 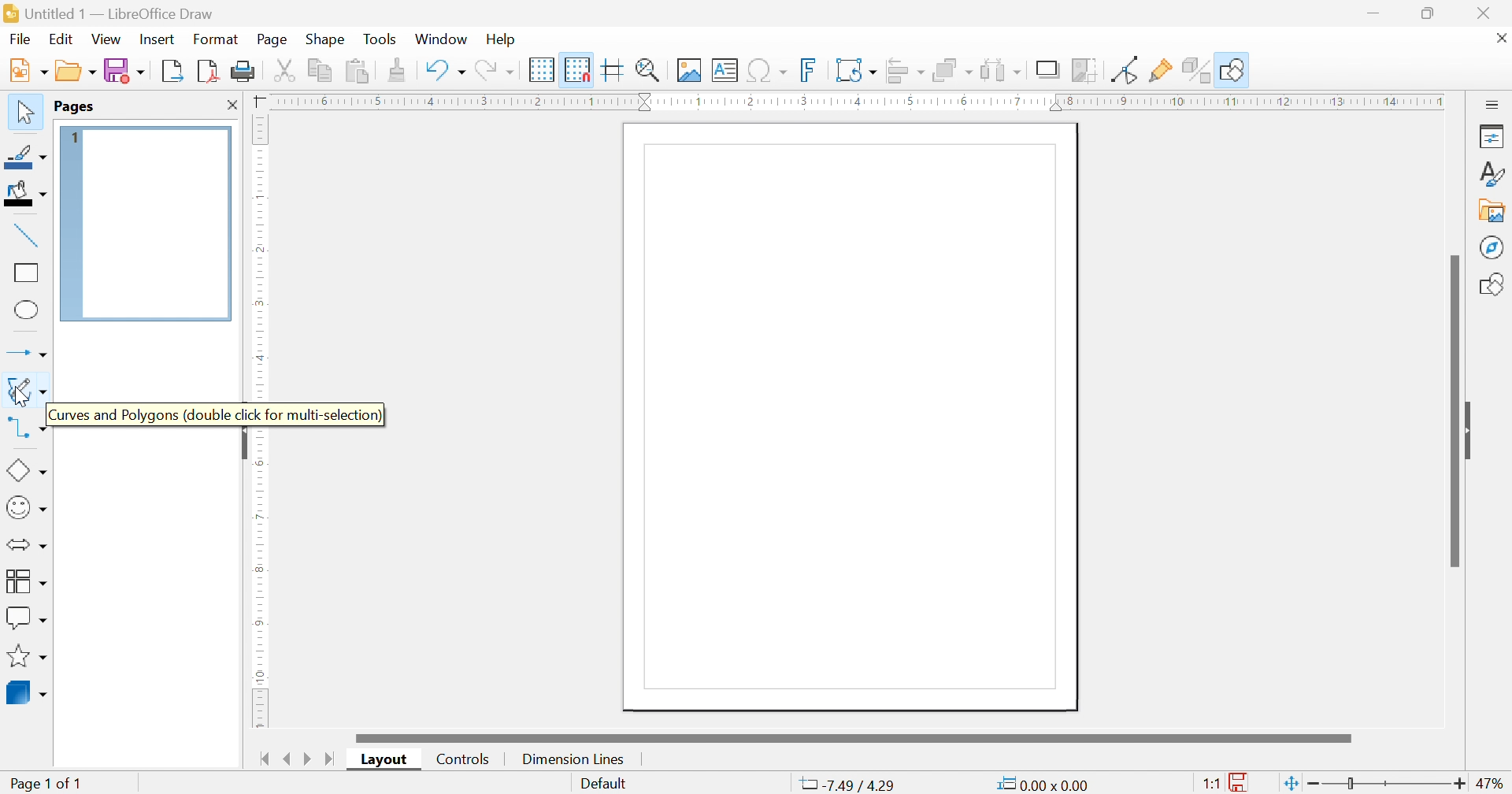 What do you see at coordinates (689, 70) in the screenshot?
I see `insert image` at bounding box center [689, 70].